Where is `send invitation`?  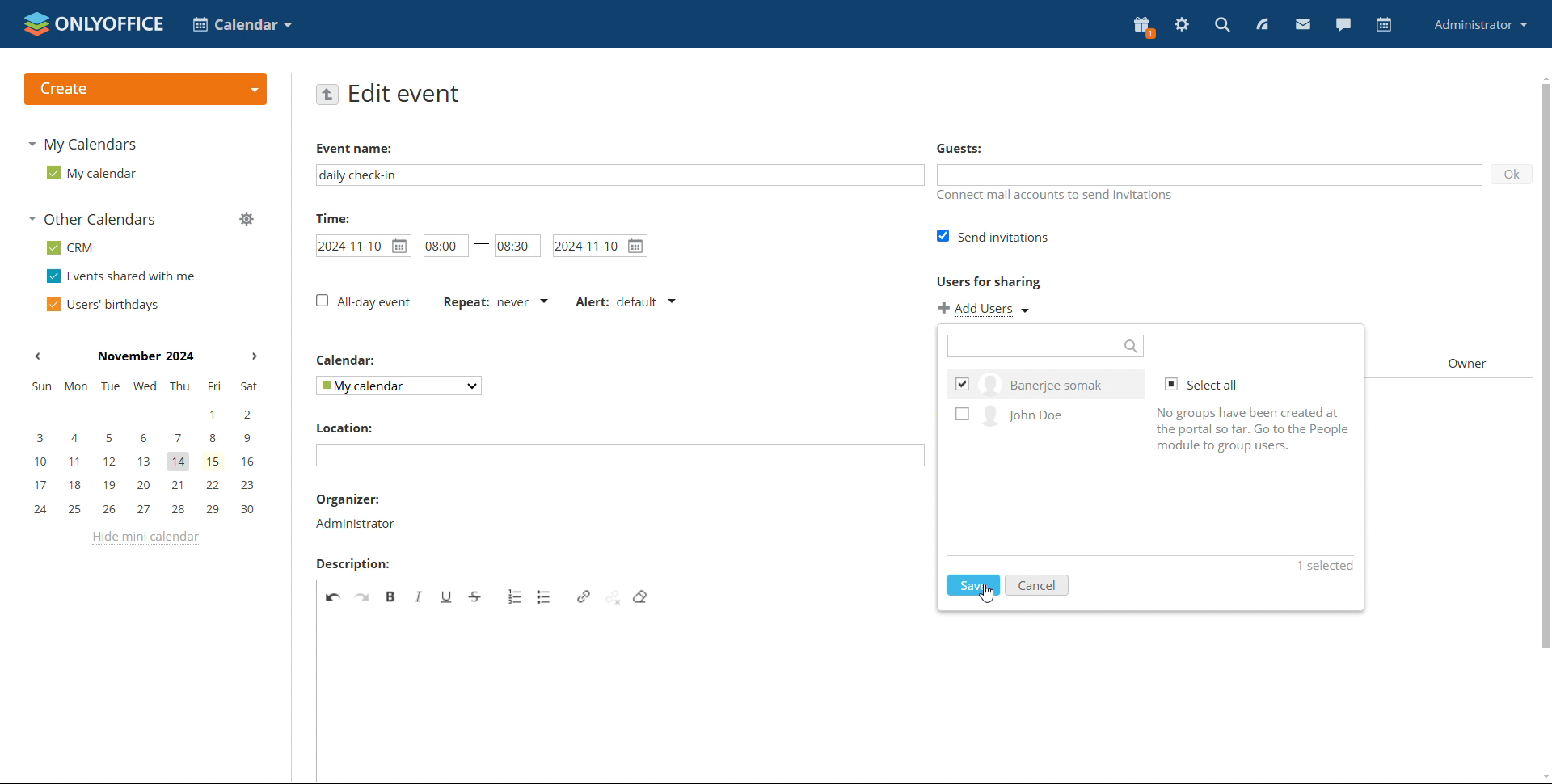 send invitation is located at coordinates (996, 236).